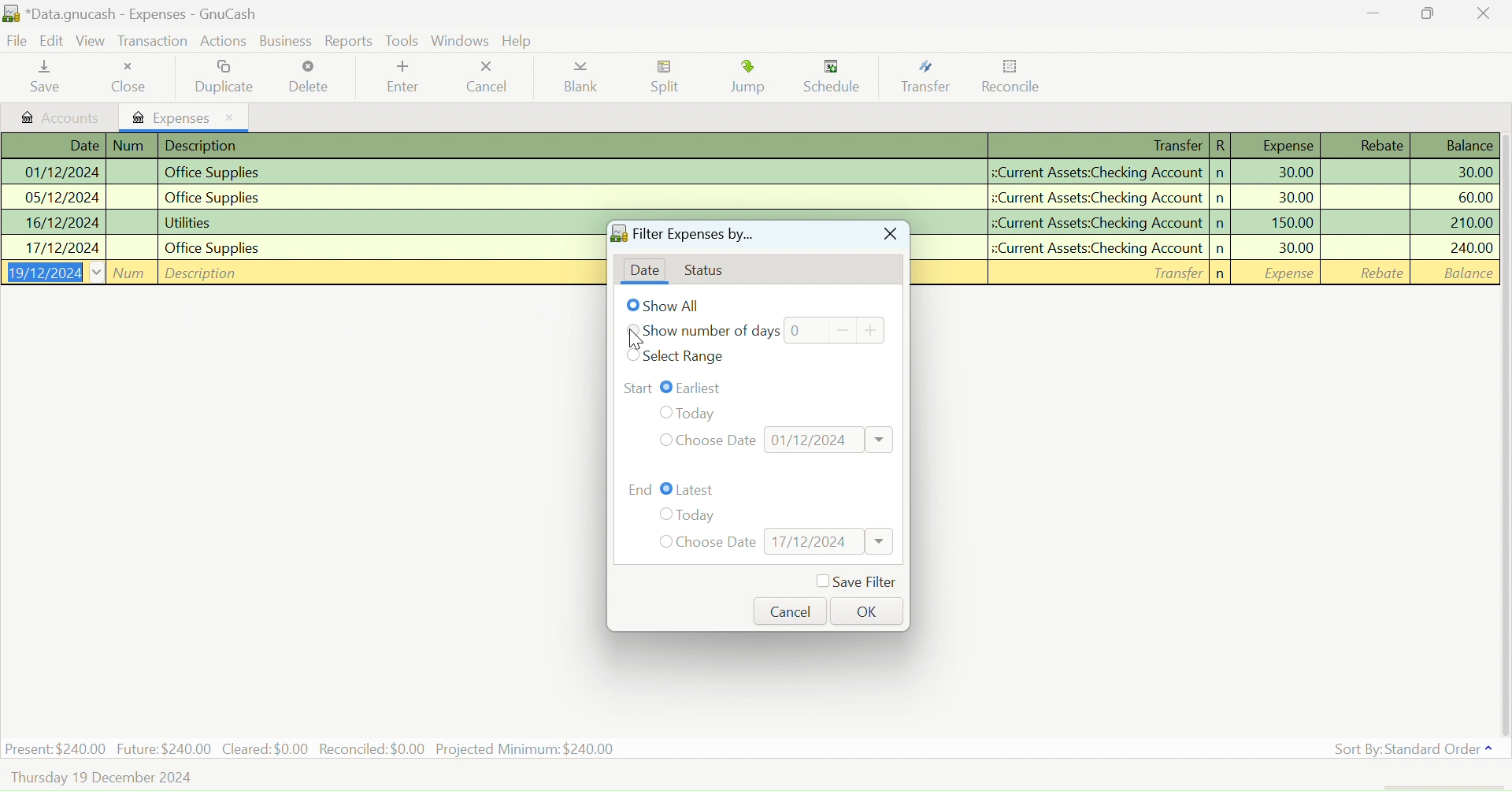  Describe the element at coordinates (682, 236) in the screenshot. I see `Filter Expenses by...` at that location.